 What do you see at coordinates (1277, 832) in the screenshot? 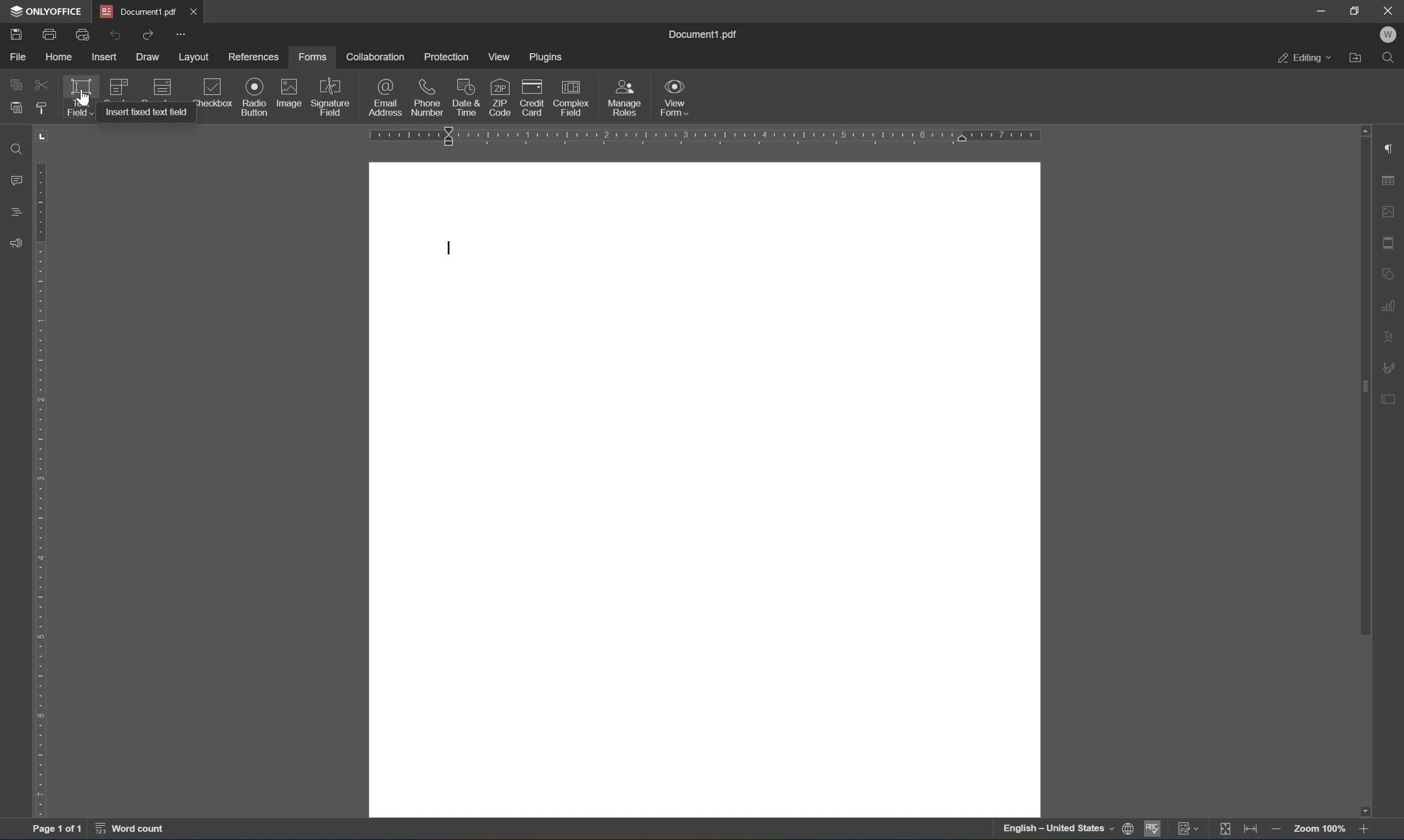
I see `zoom out` at bounding box center [1277, 832].